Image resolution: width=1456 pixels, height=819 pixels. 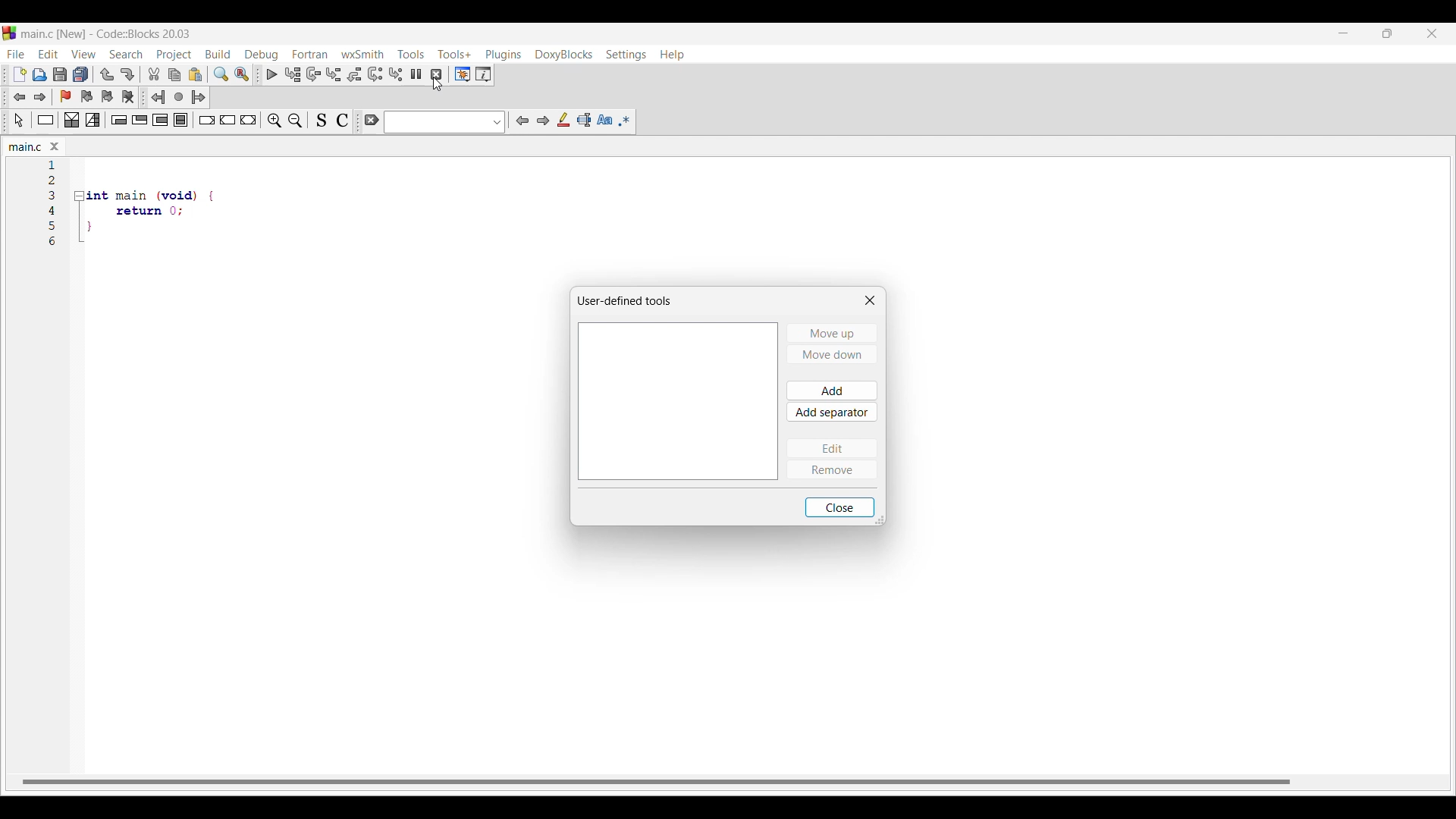 I want to click on Clear bookmarks, so click(x=128, y=97).